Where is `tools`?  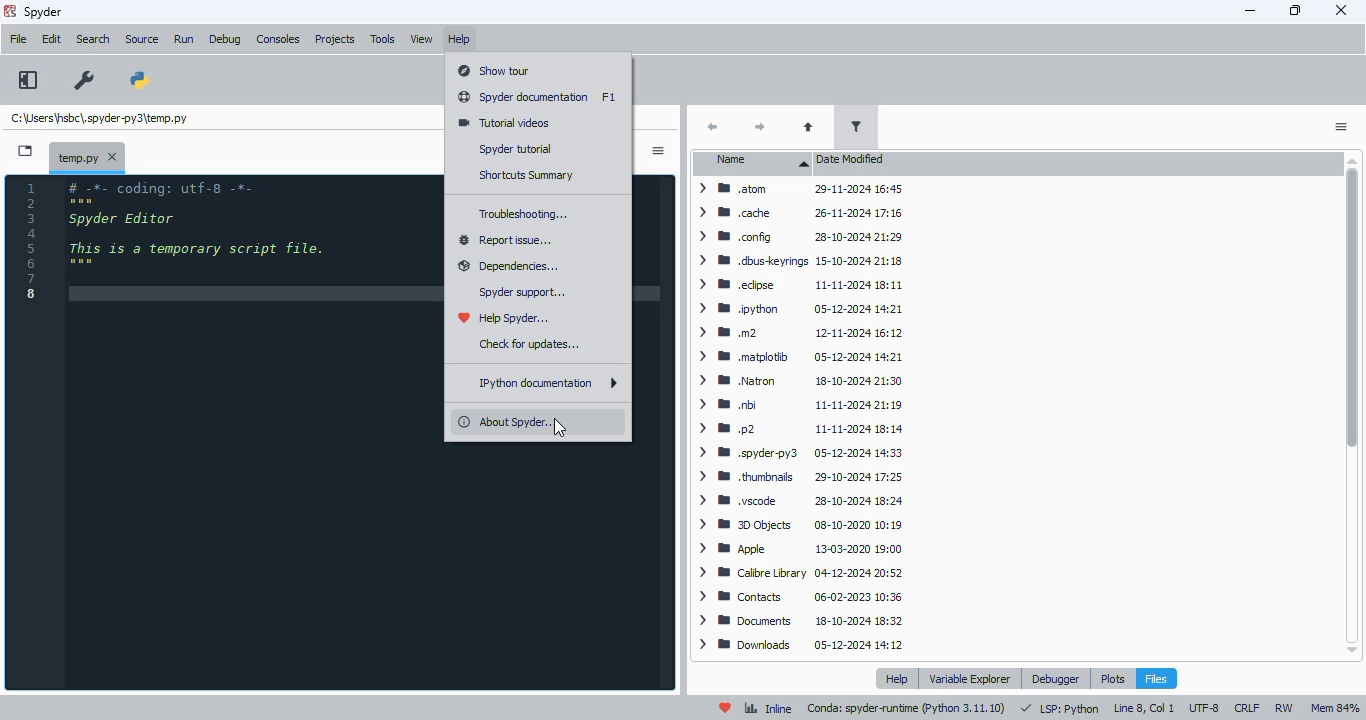
tools is located at coordinates (384, 39).